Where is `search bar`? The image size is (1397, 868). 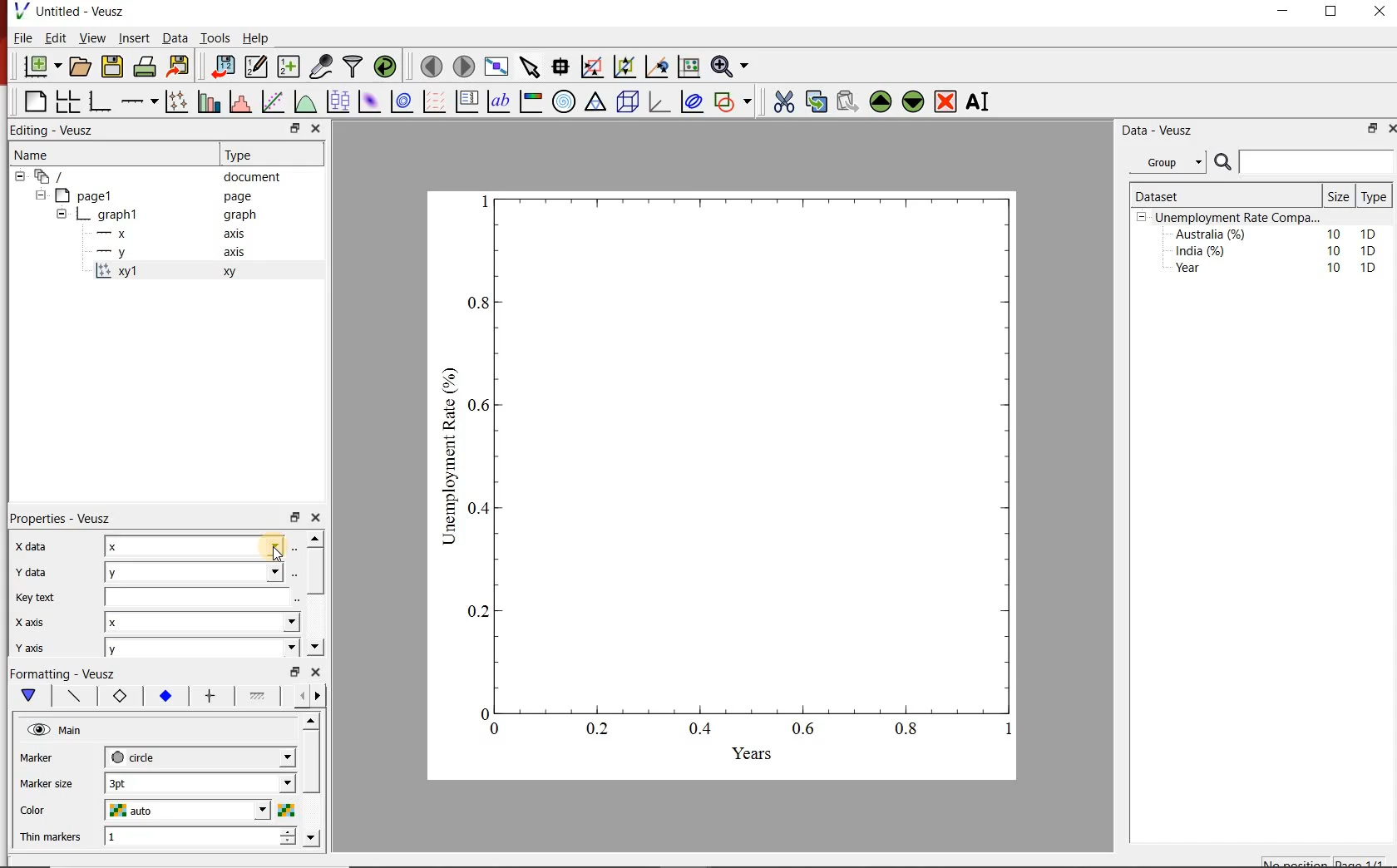
search bar is located at coordinates (1302, 162).